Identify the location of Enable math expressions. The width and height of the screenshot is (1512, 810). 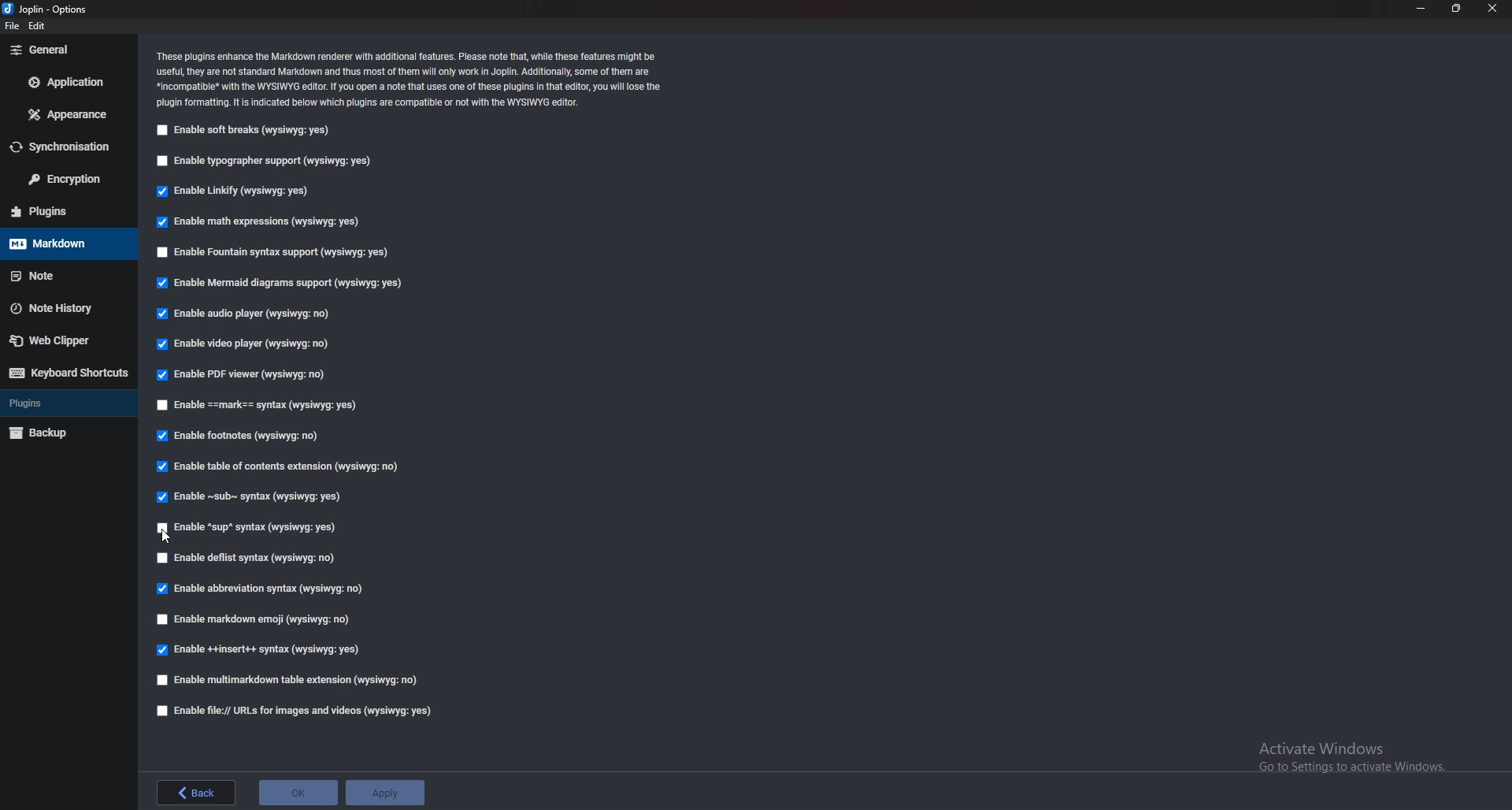
(256, 221).